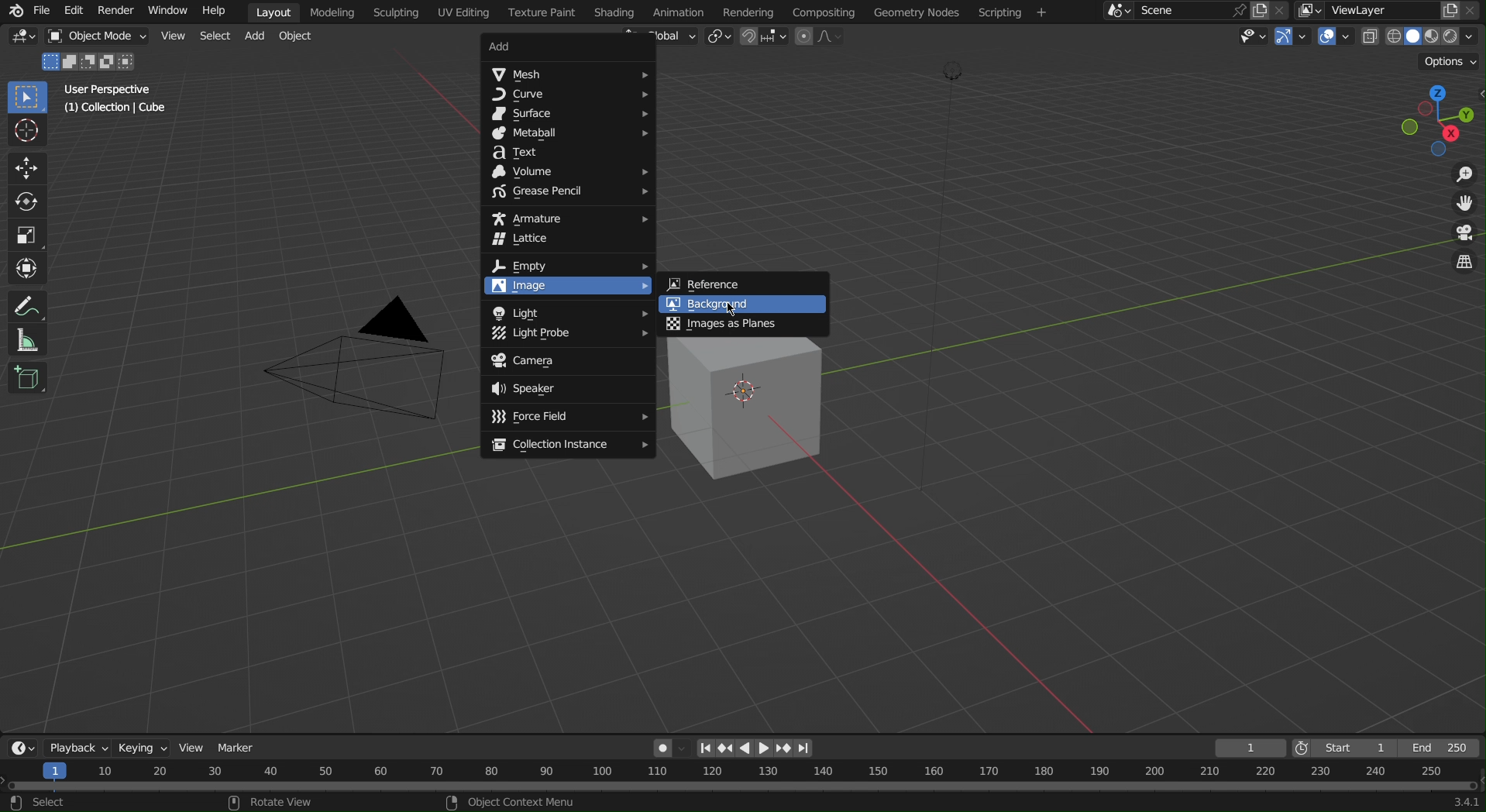 The height and width of the screenshot is (812, 1486). Describe the element at coordinates (22, 748) in the screenshot. I see `Editor Types` at that location.